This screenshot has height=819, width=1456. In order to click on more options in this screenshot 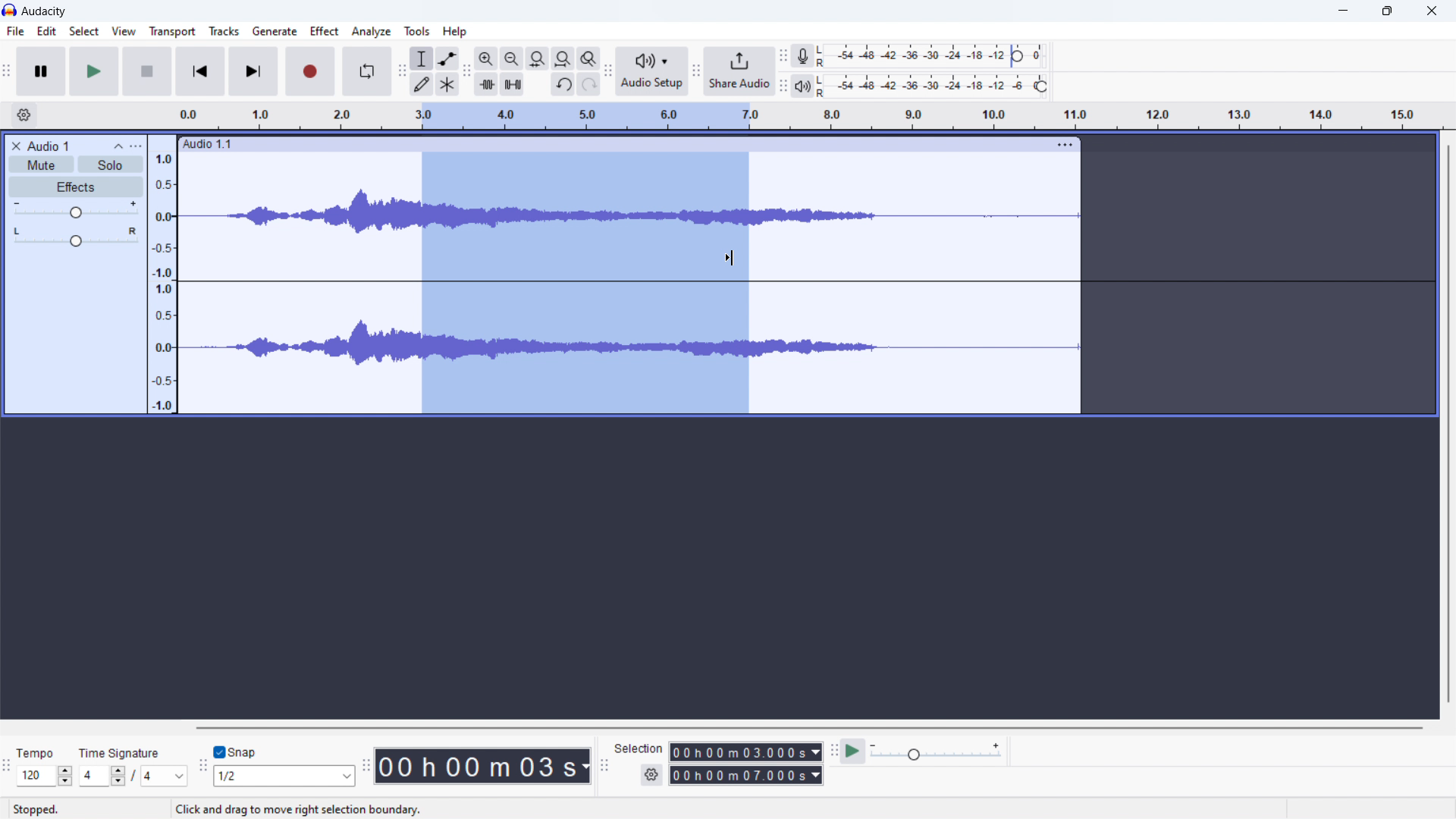, I will do `click(1066, 146)`.